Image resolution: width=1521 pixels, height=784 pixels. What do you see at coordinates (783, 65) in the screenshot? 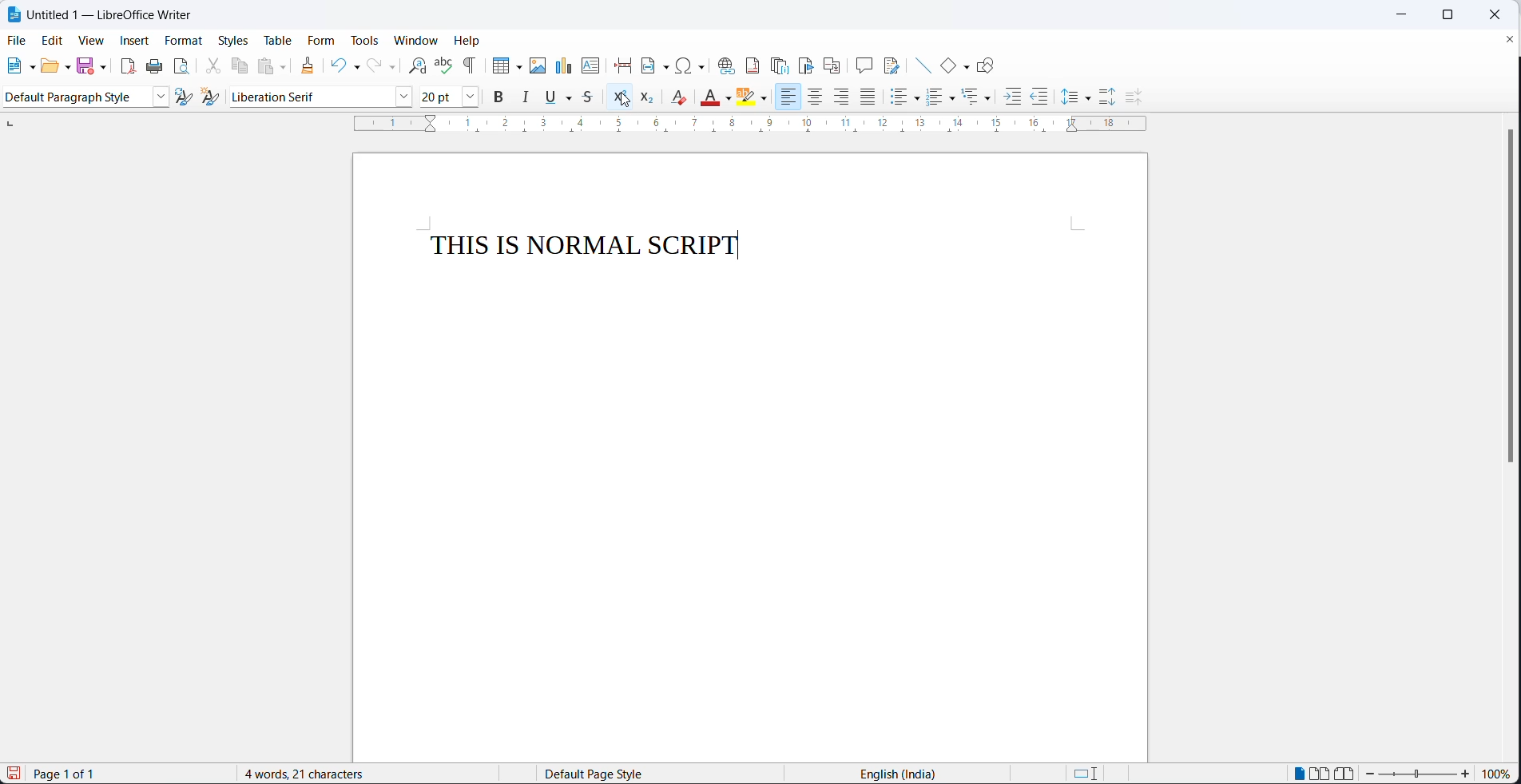
I see `inert endnote` at bounding box center [783, 65].